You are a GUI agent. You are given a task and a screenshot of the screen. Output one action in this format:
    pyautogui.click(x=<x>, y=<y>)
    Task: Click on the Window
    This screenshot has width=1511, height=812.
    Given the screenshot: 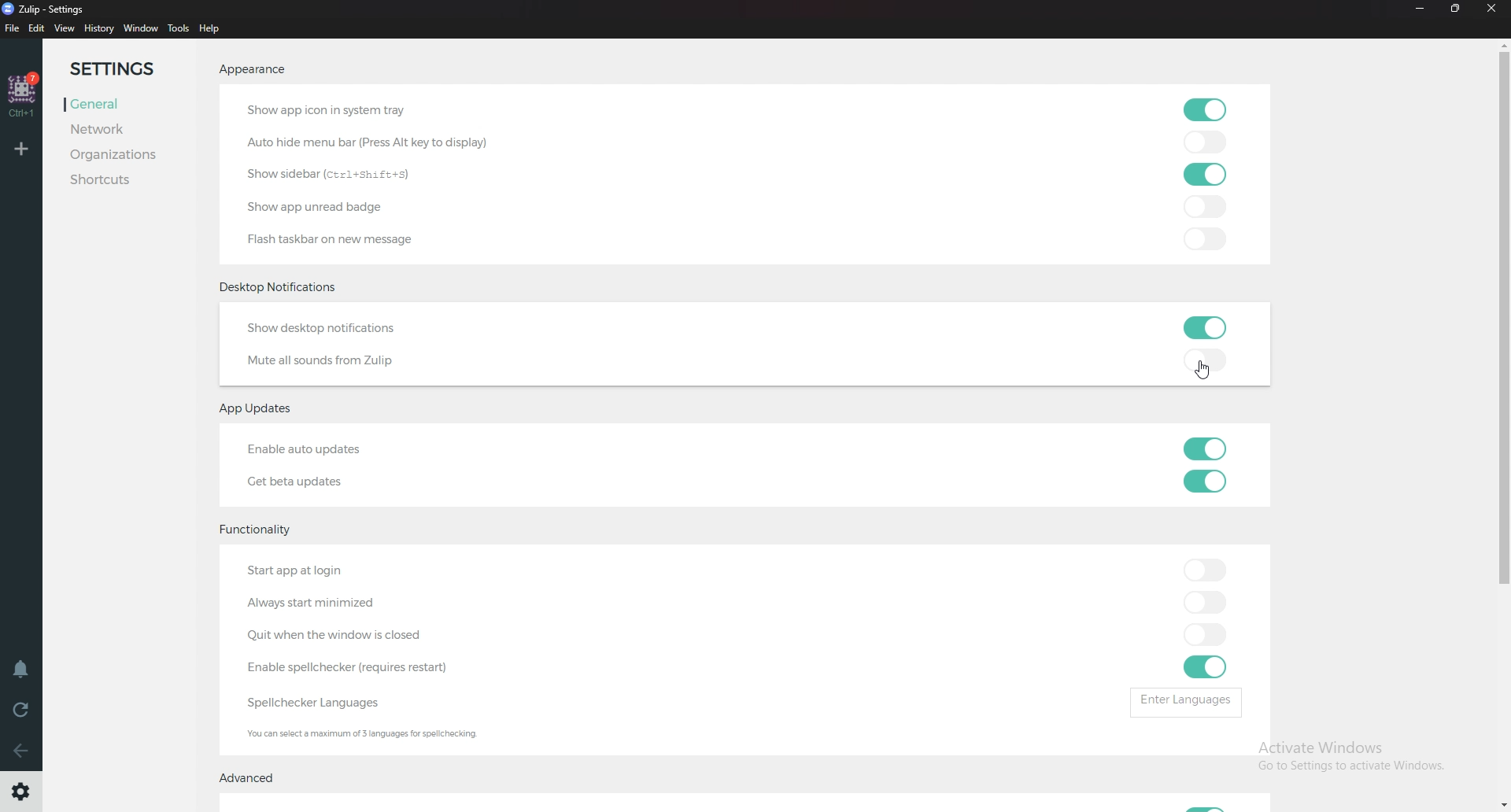 What is the action you would take?
    pyautogui.click(x=143, y=28)
    